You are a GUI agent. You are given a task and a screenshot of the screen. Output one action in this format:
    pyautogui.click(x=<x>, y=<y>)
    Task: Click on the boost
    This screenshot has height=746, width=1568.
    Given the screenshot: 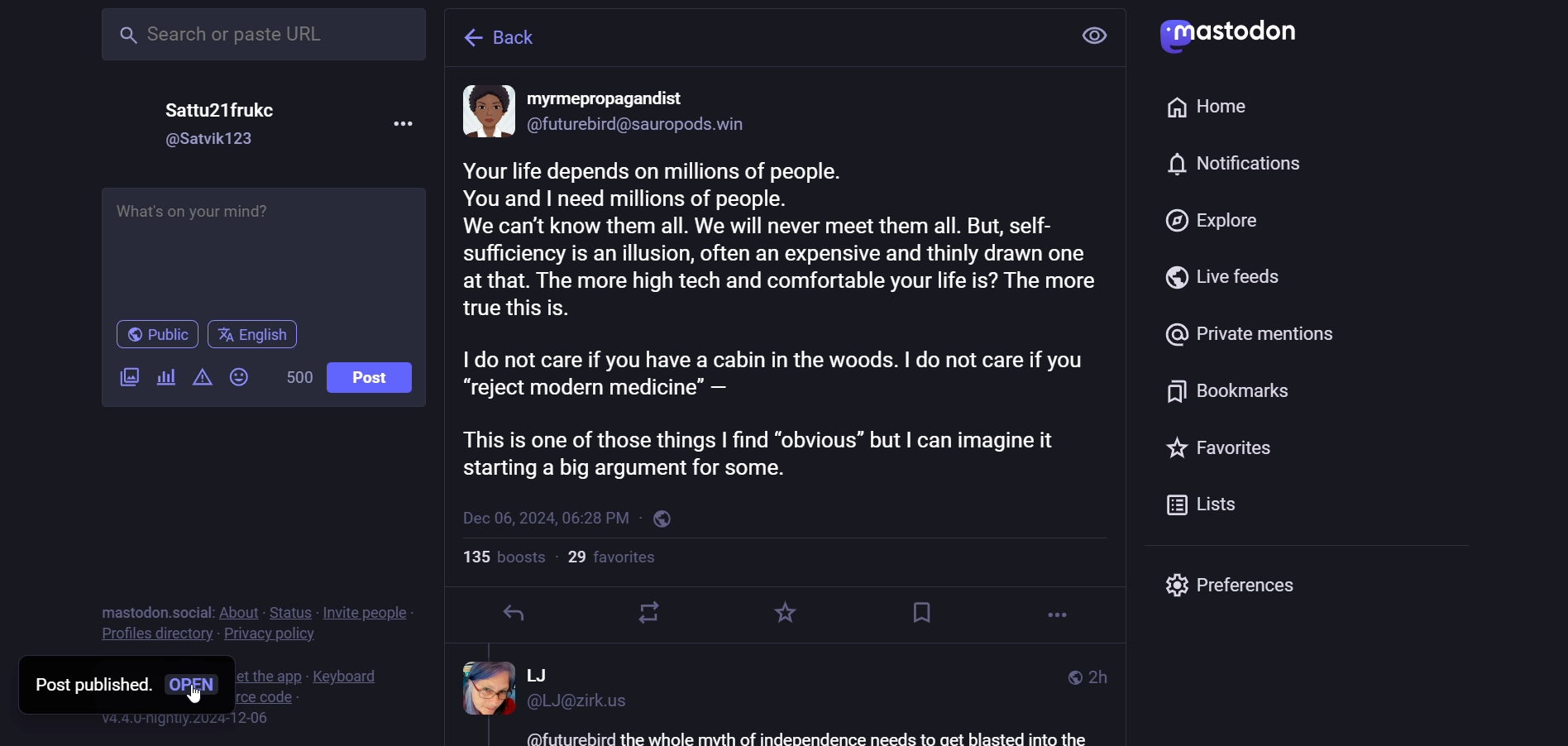 What is the action you would take?
    pyautogui.click(x=647, y=614)
    